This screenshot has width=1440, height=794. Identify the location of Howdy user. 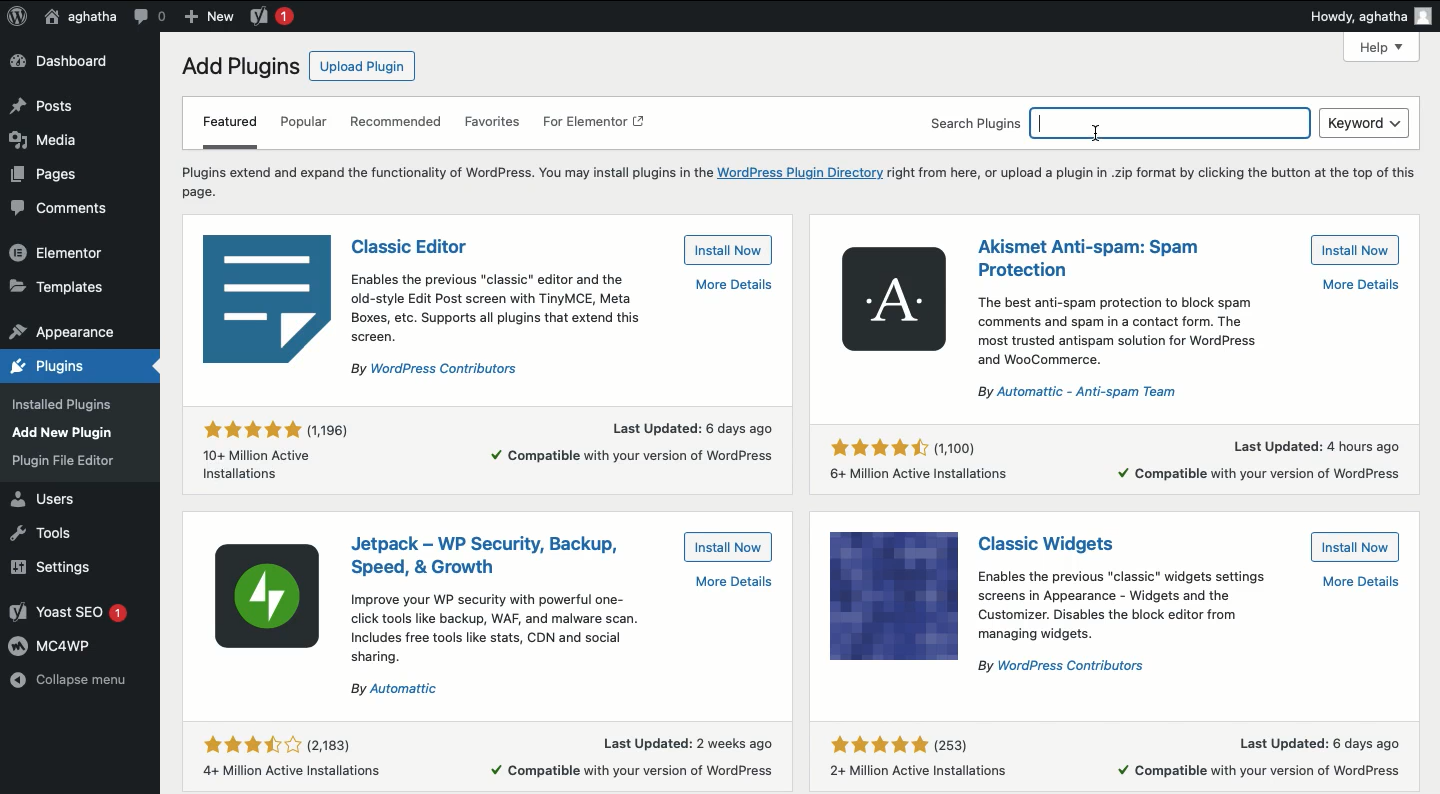
(1370, 16).